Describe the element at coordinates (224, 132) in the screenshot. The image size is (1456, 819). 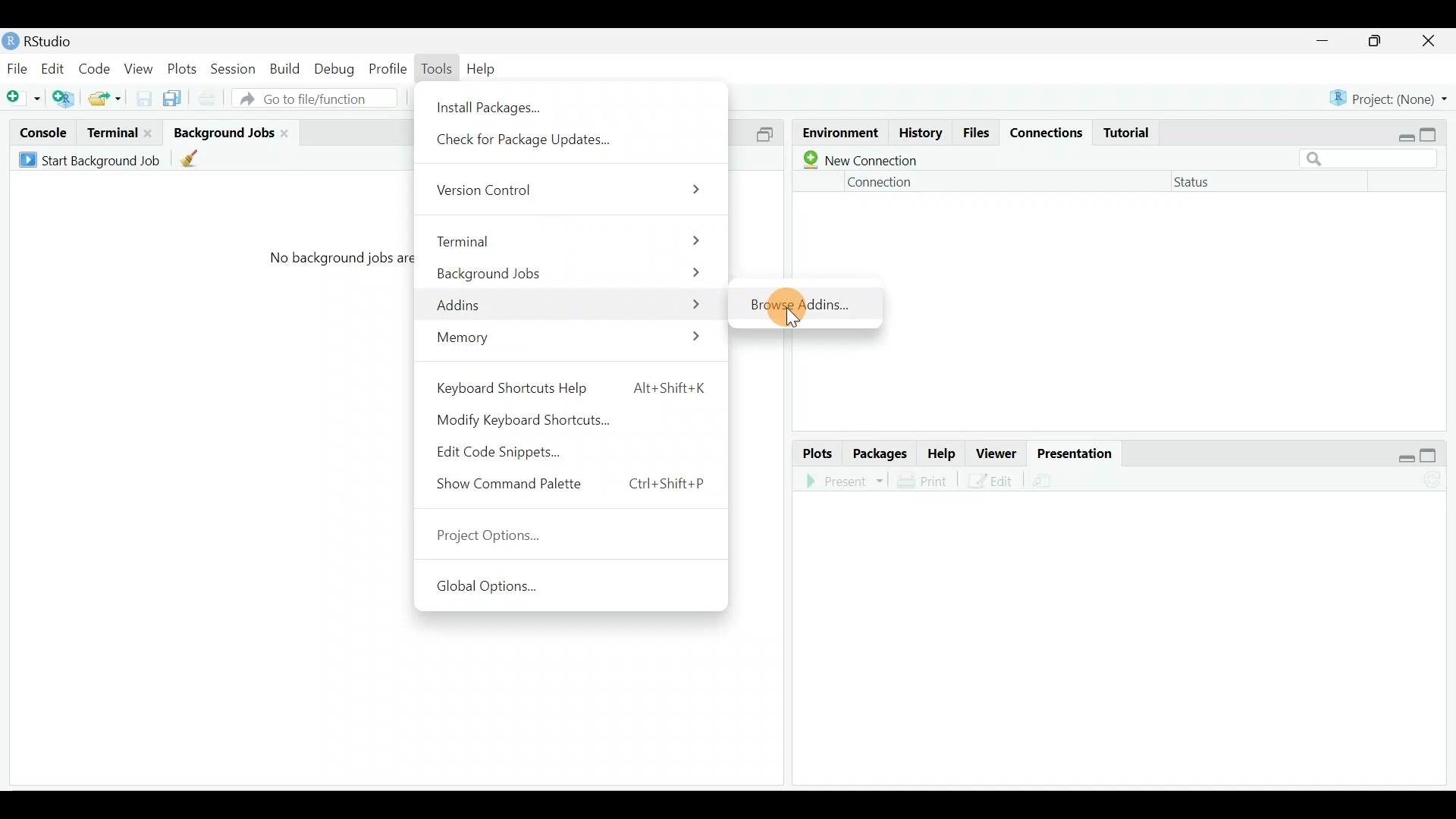
I see `Background jobs` at that location.